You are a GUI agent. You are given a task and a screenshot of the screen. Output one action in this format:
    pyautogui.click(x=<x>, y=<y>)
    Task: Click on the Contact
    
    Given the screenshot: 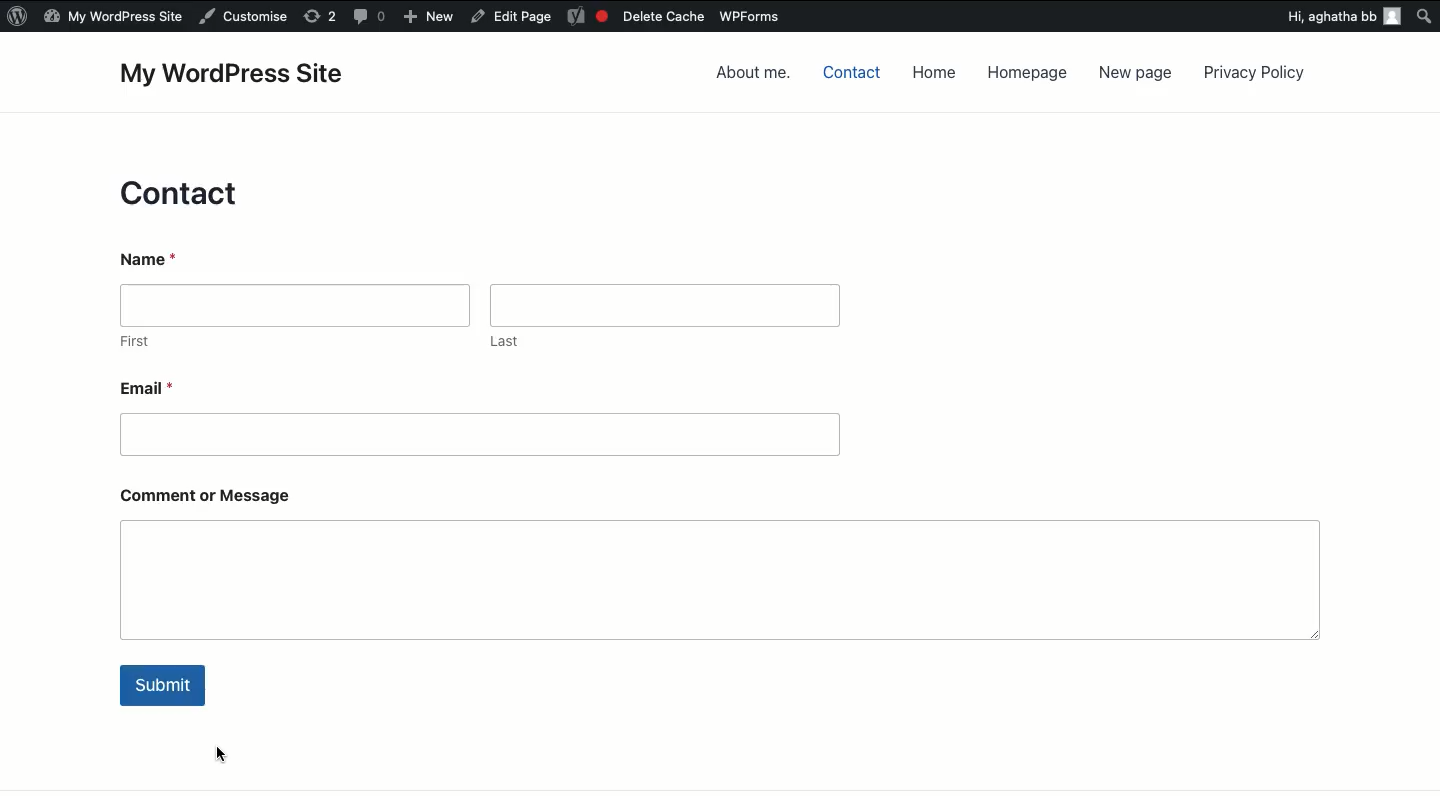 What is the action you would take?
    pyautogui.click(x=855, y=72)
    